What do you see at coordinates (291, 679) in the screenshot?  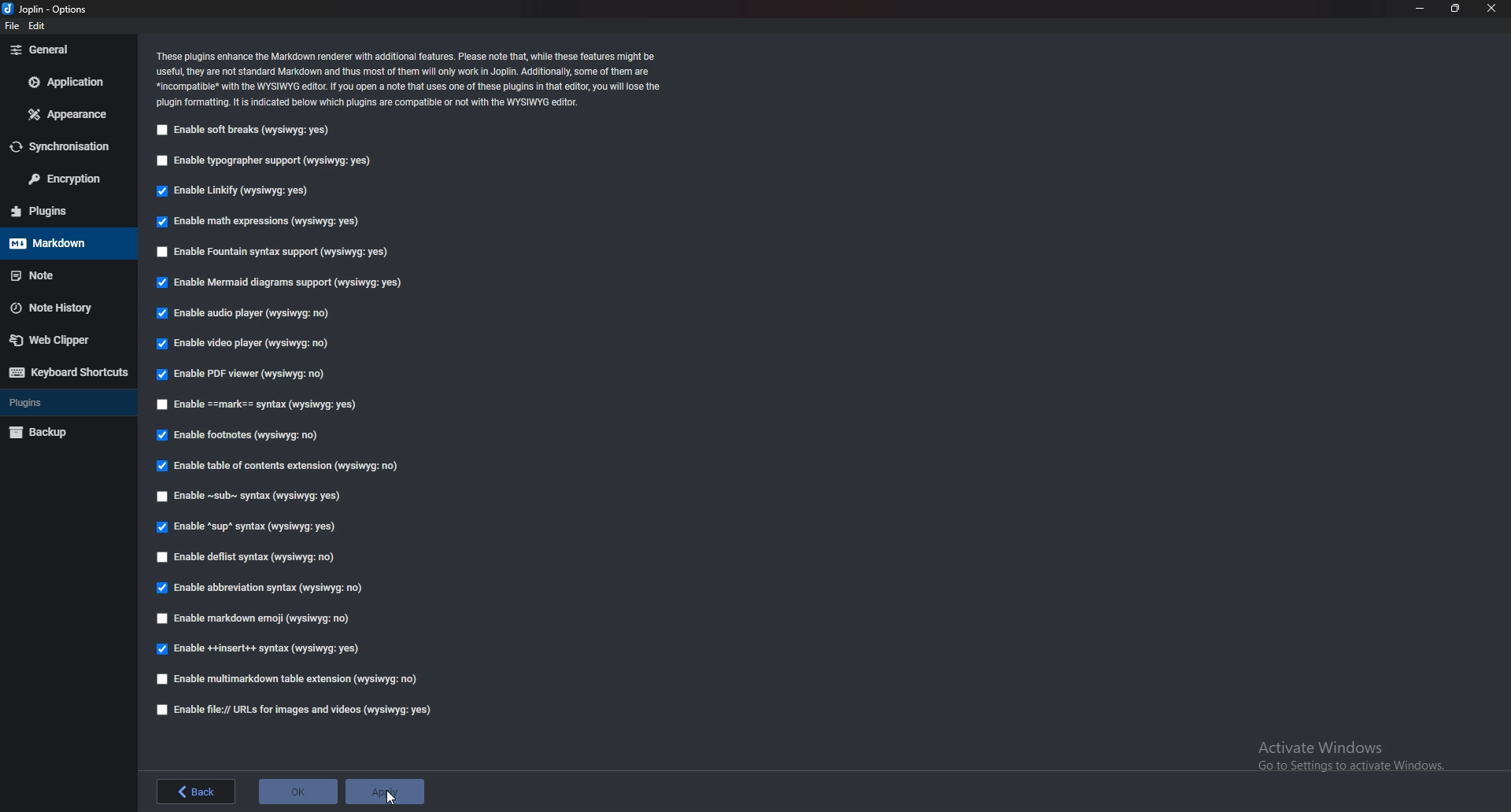 I see `Enable multi markdown table` at bounding box center [291, 679].